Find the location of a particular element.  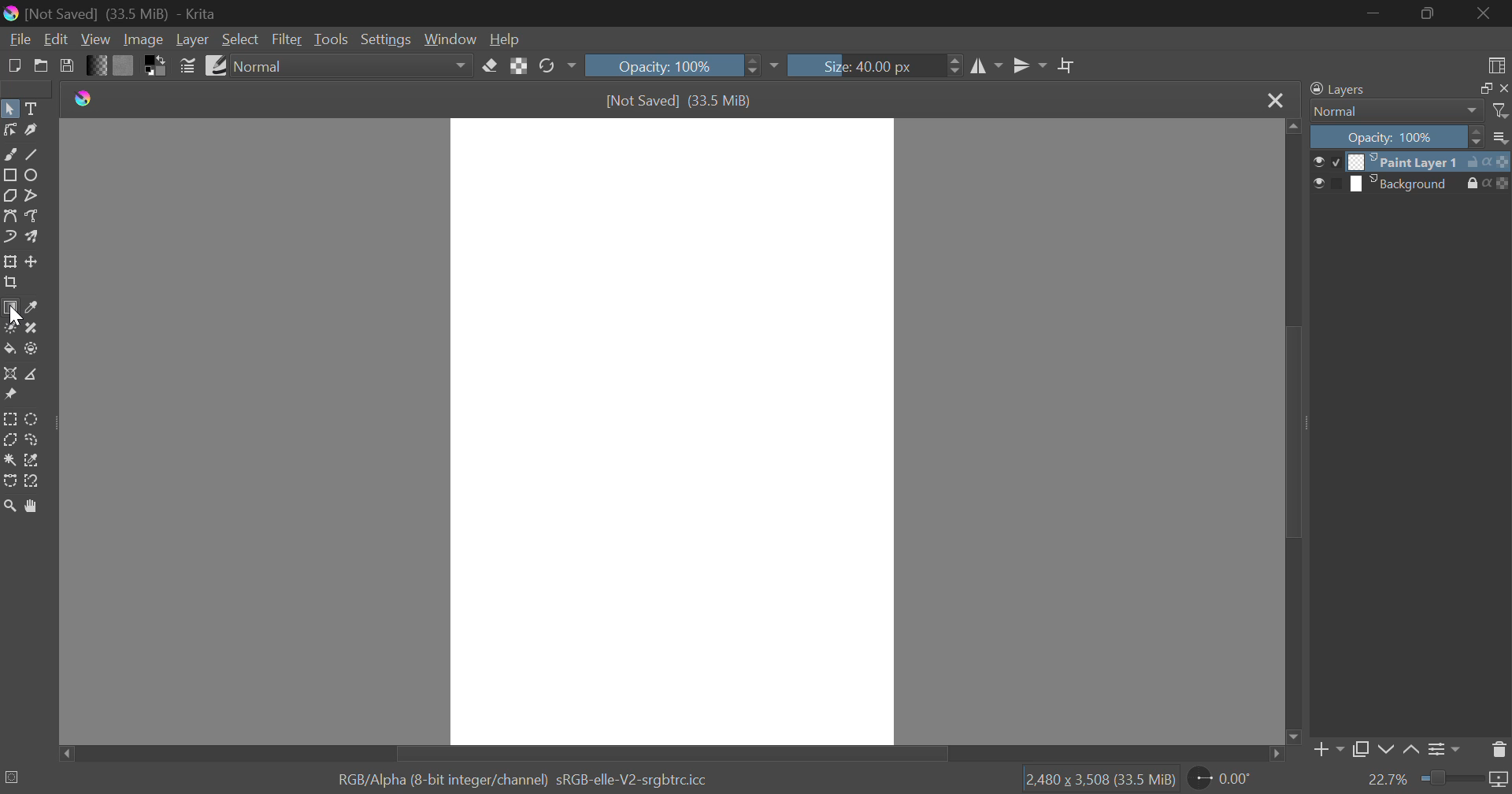

Ellipses is located at coordinates (32, 175).